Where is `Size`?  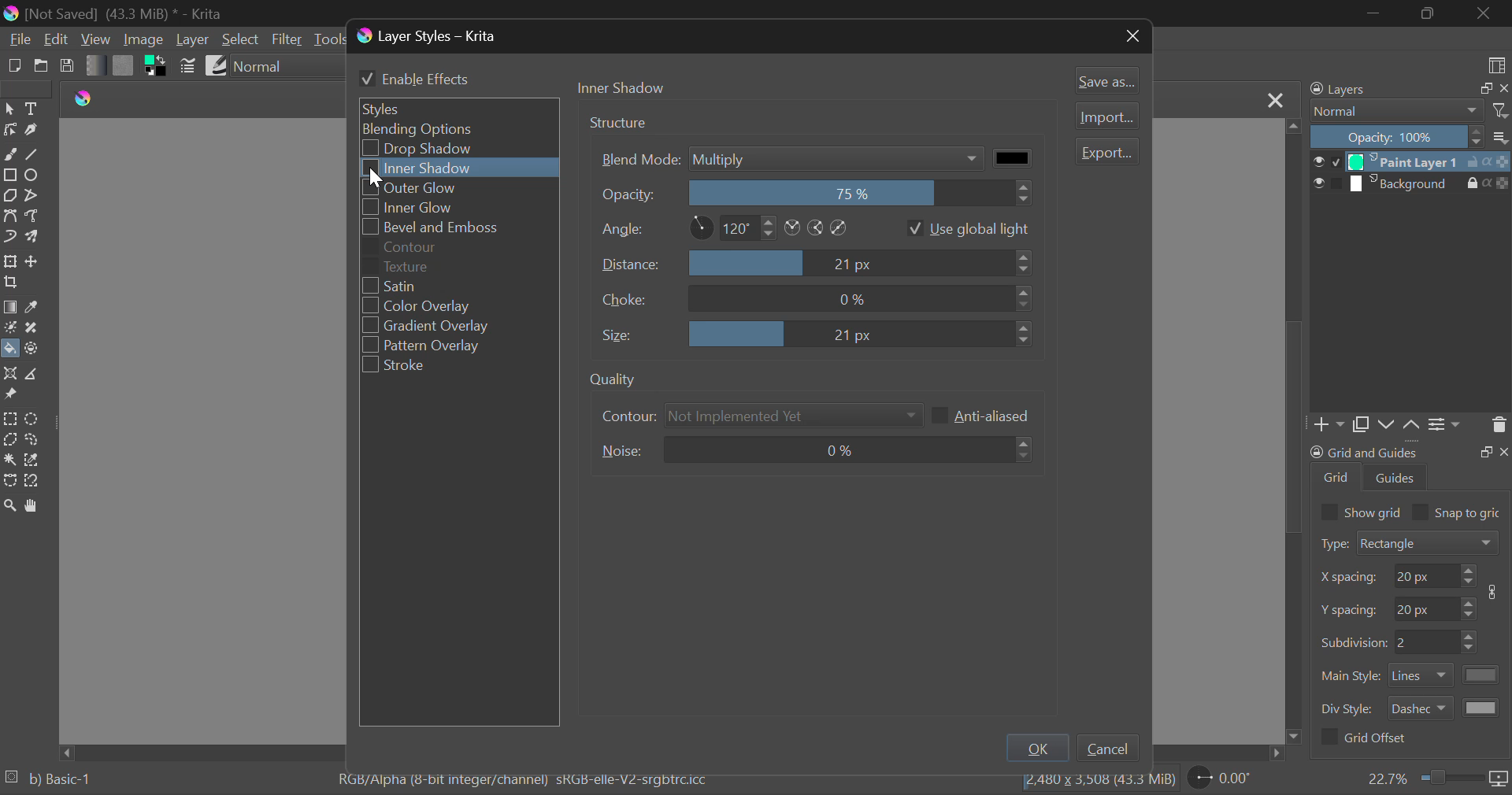 Size is located at coordinates (814, 338).